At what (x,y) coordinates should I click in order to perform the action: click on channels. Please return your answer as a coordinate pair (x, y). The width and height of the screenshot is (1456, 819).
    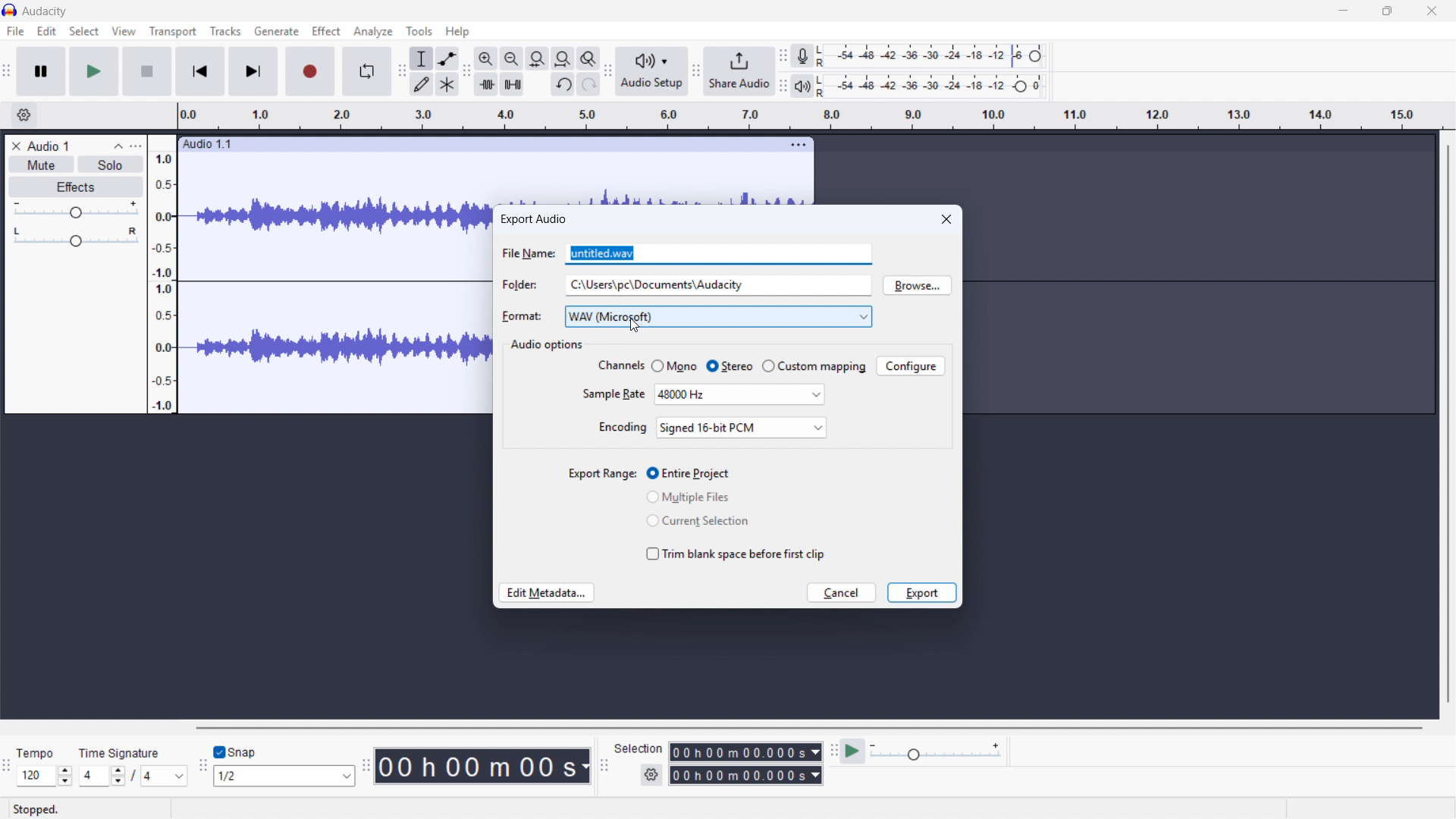
    Looking at the image, I should click on (620, 367).